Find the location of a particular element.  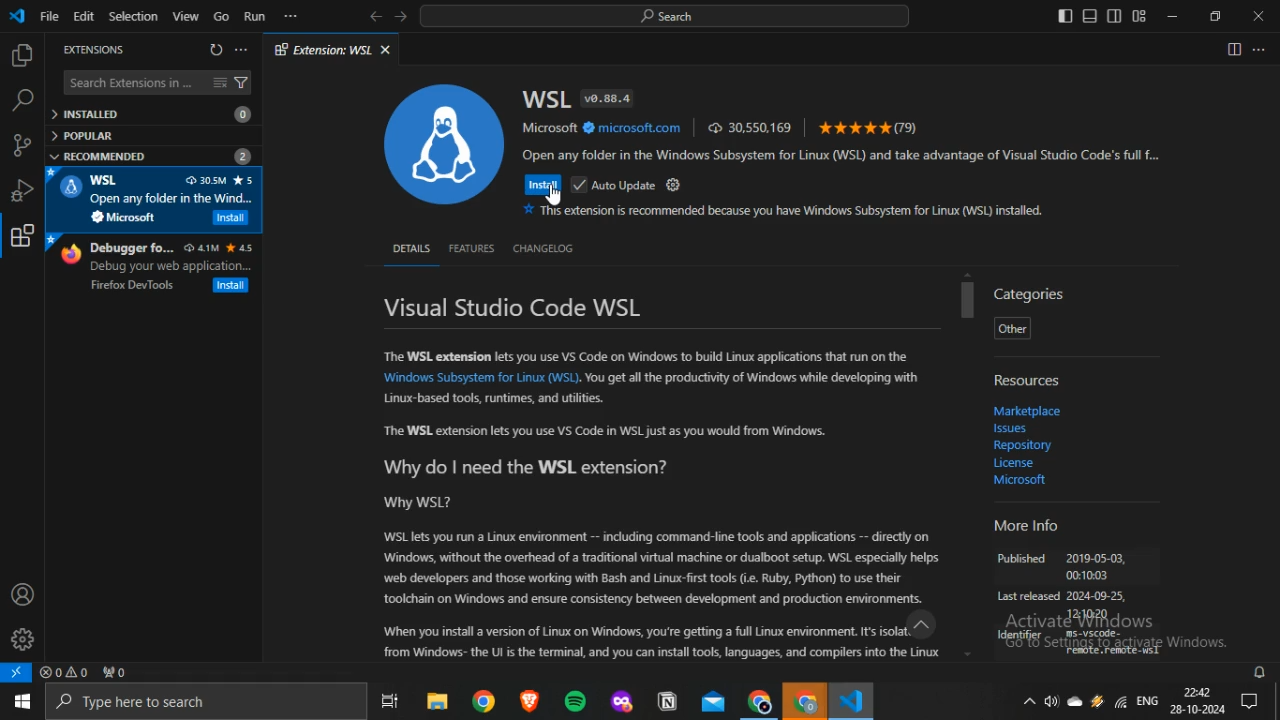

Search Extensions in ... is located at coordinates (132, 83).